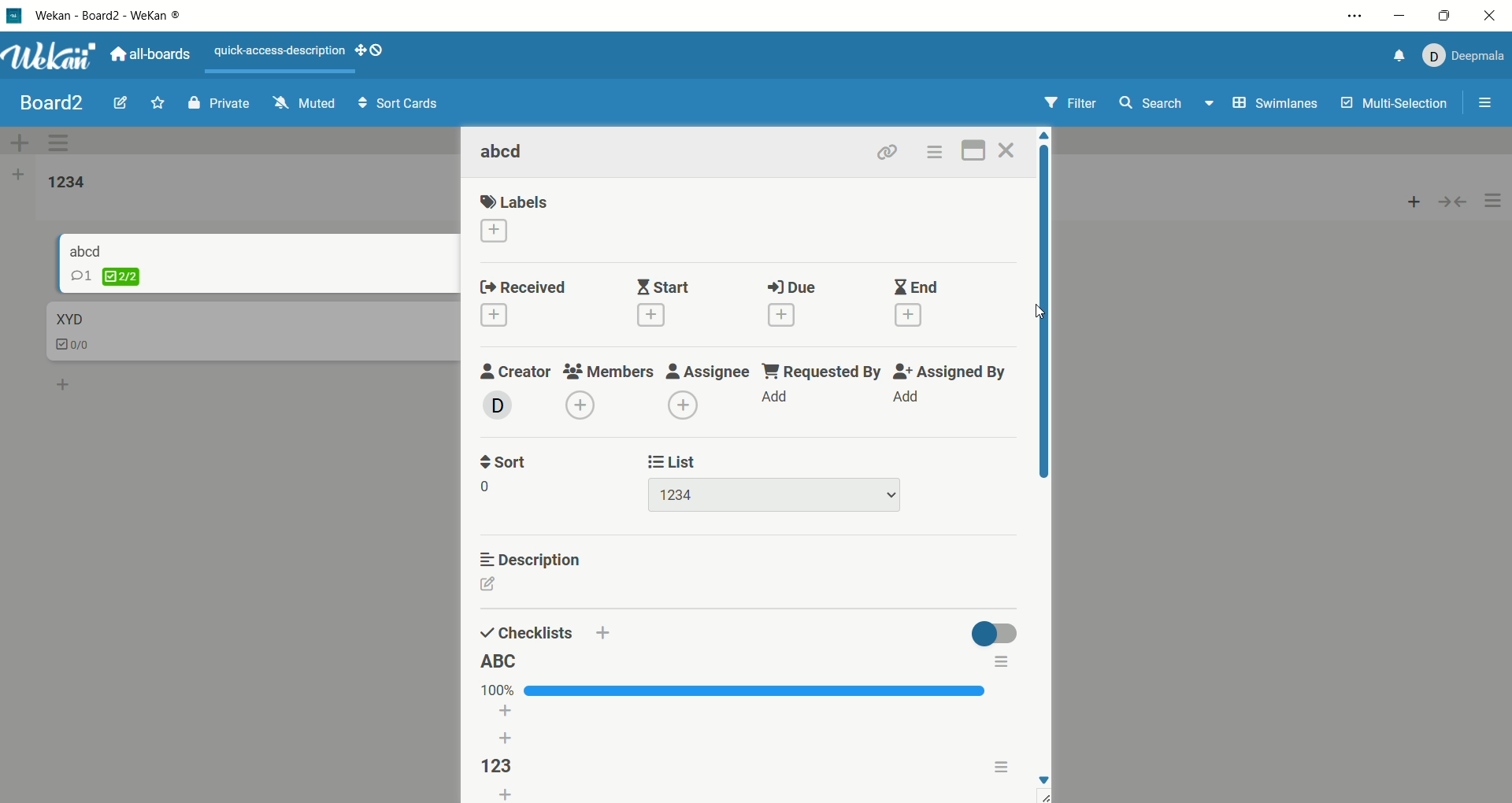  What do you see at coordinates (1073, 104) in the screenshot?
I see `filter` at bounding box center [1073, 104].